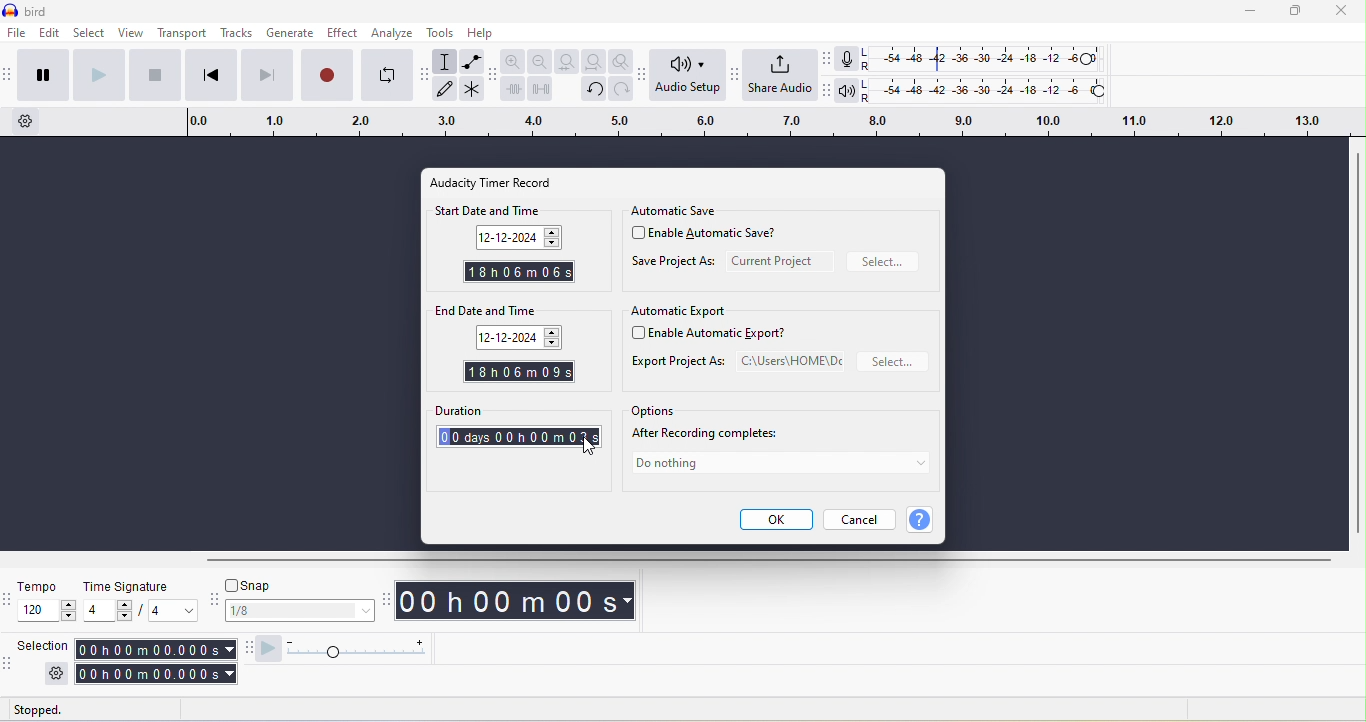  Describe the element at coordinates (1343, 13) in the screenshot. I see `close` at that location.